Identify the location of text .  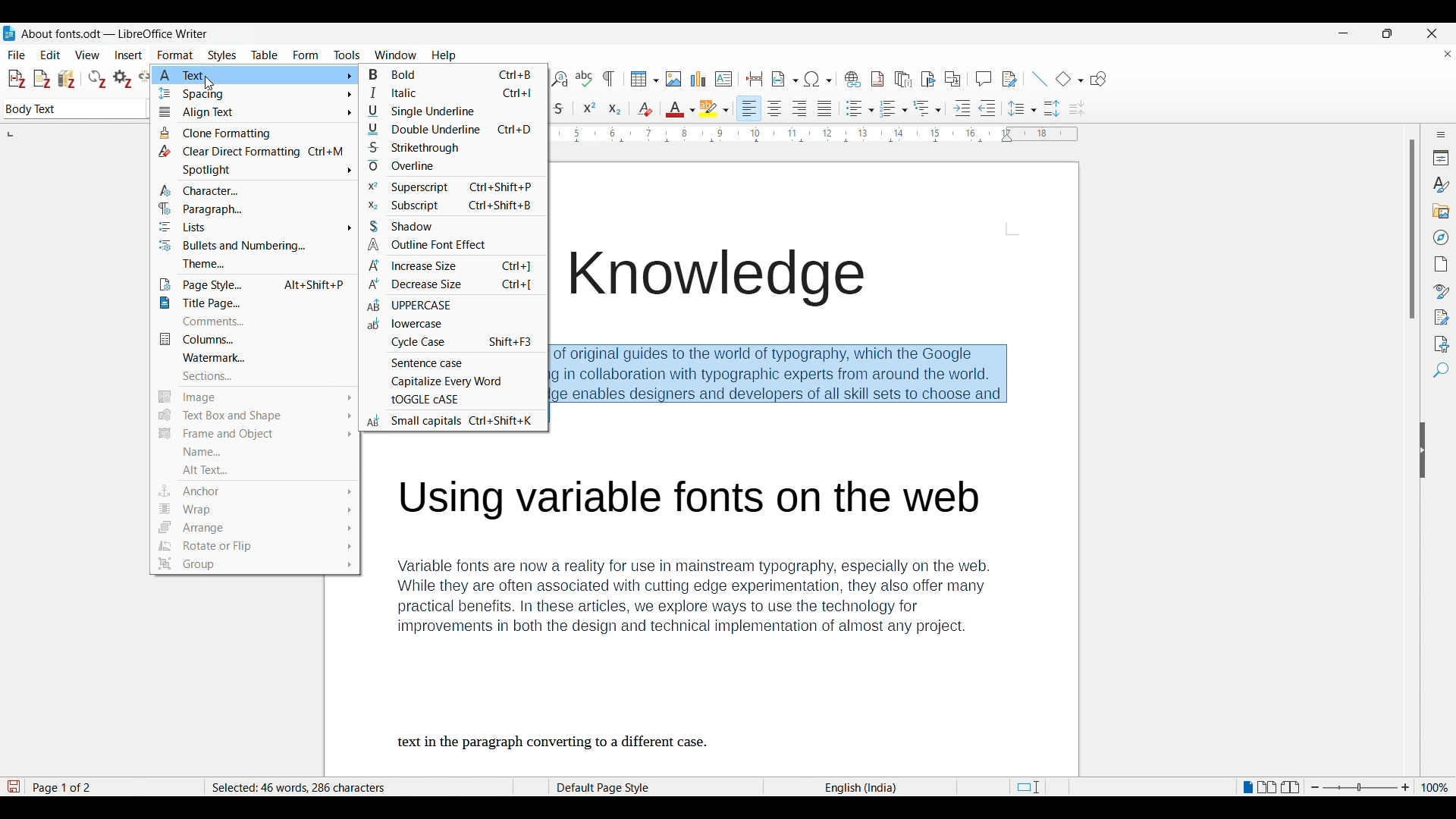
(256, 76).